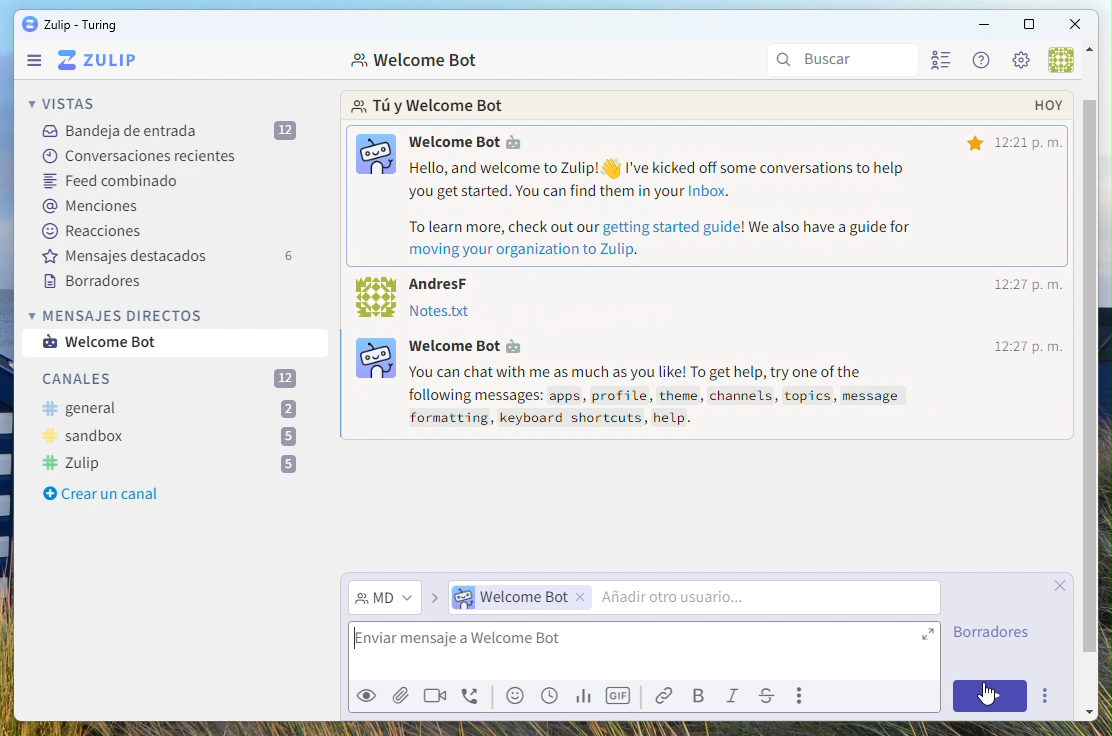 This screenshot has width=1112, height=736. What do you see at coordinates (92, 207) in the screenshot?
I see `Tags` at bounding box center [92, 207].